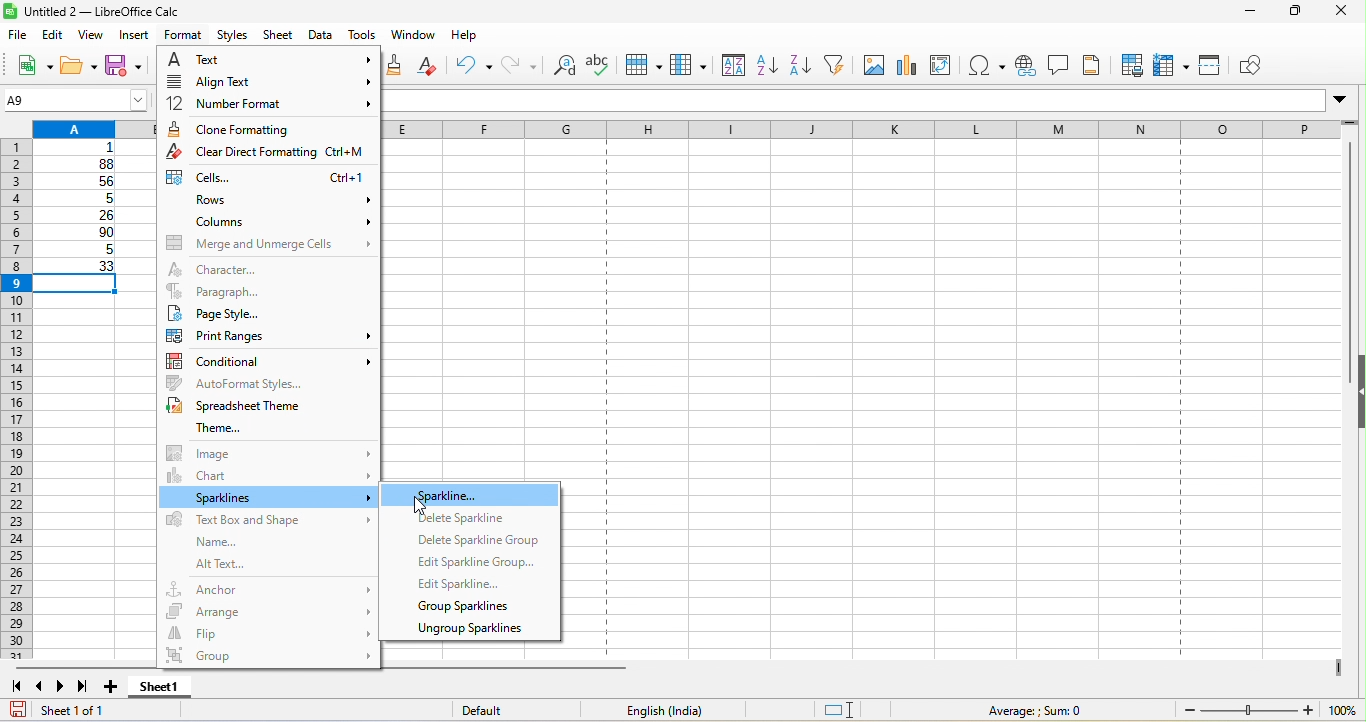 The width and height of the screenshot is (1366, 722). What do you see at coordinates (271, 382) in the screenshot?
I see `auto format styles` at bounding box center [271, 382].